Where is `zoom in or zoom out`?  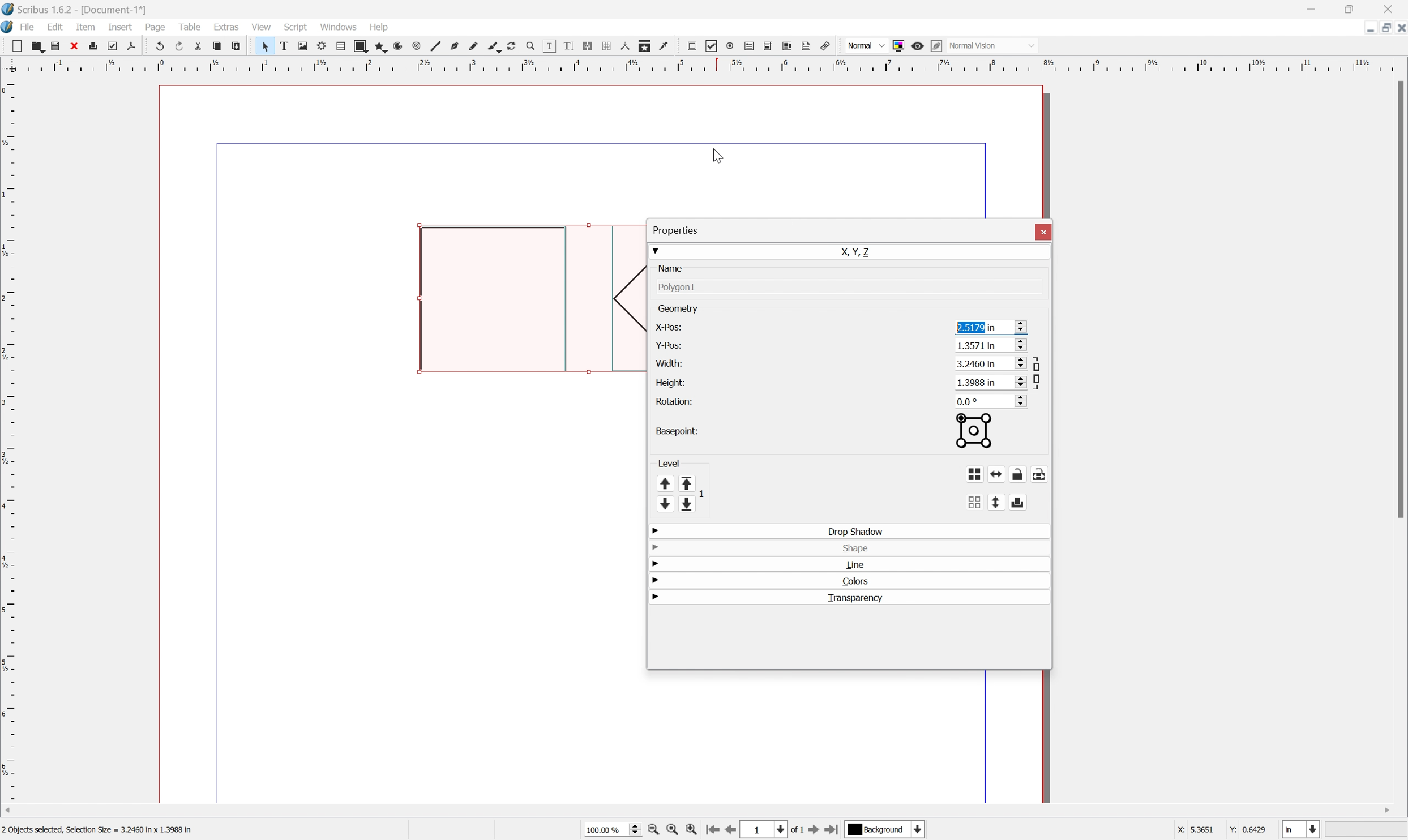 zoom in or zoom out is located at coordinates (527, 46).